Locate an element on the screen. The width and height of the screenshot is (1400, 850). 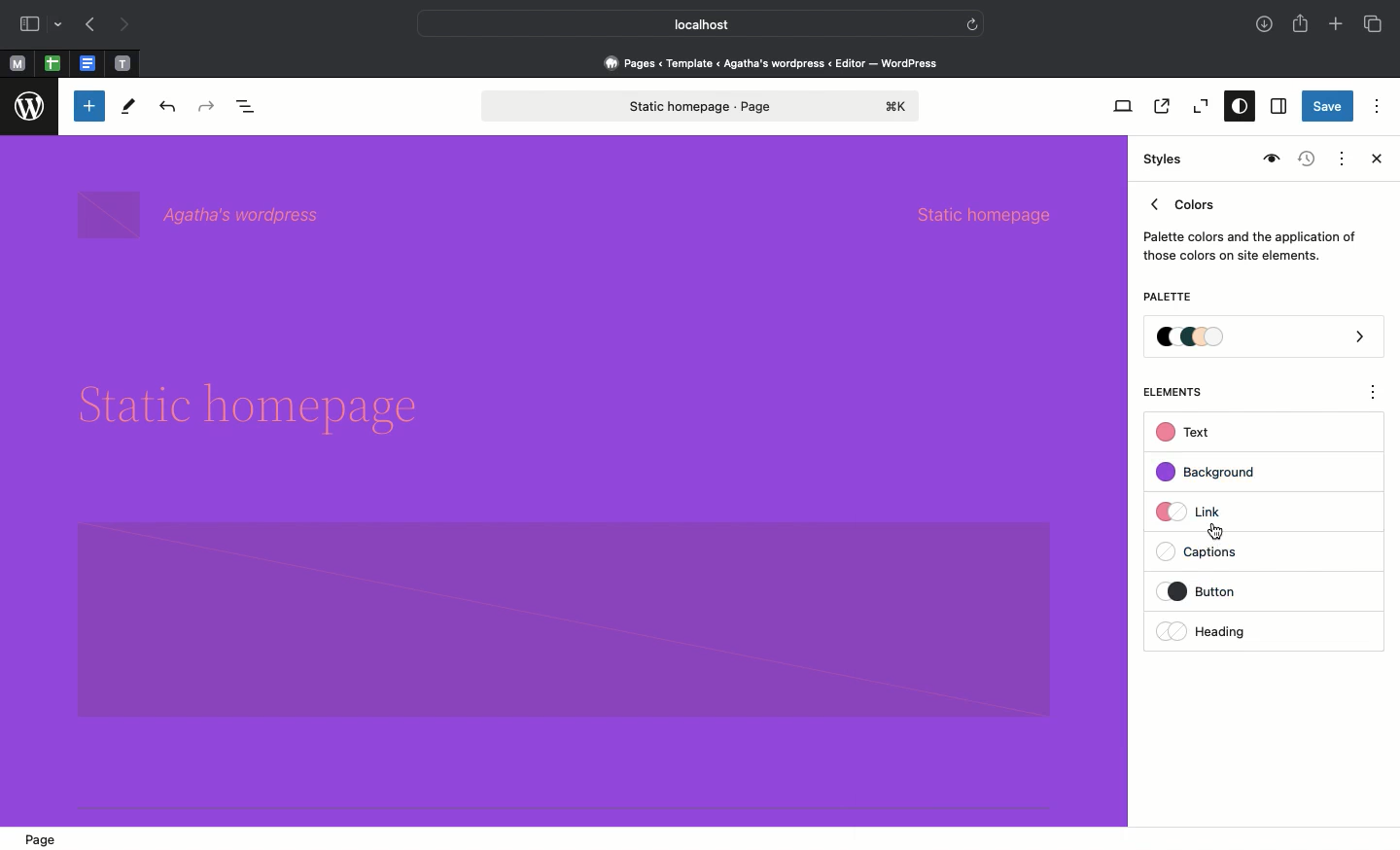
Options is located at coordinates (1377, 105).